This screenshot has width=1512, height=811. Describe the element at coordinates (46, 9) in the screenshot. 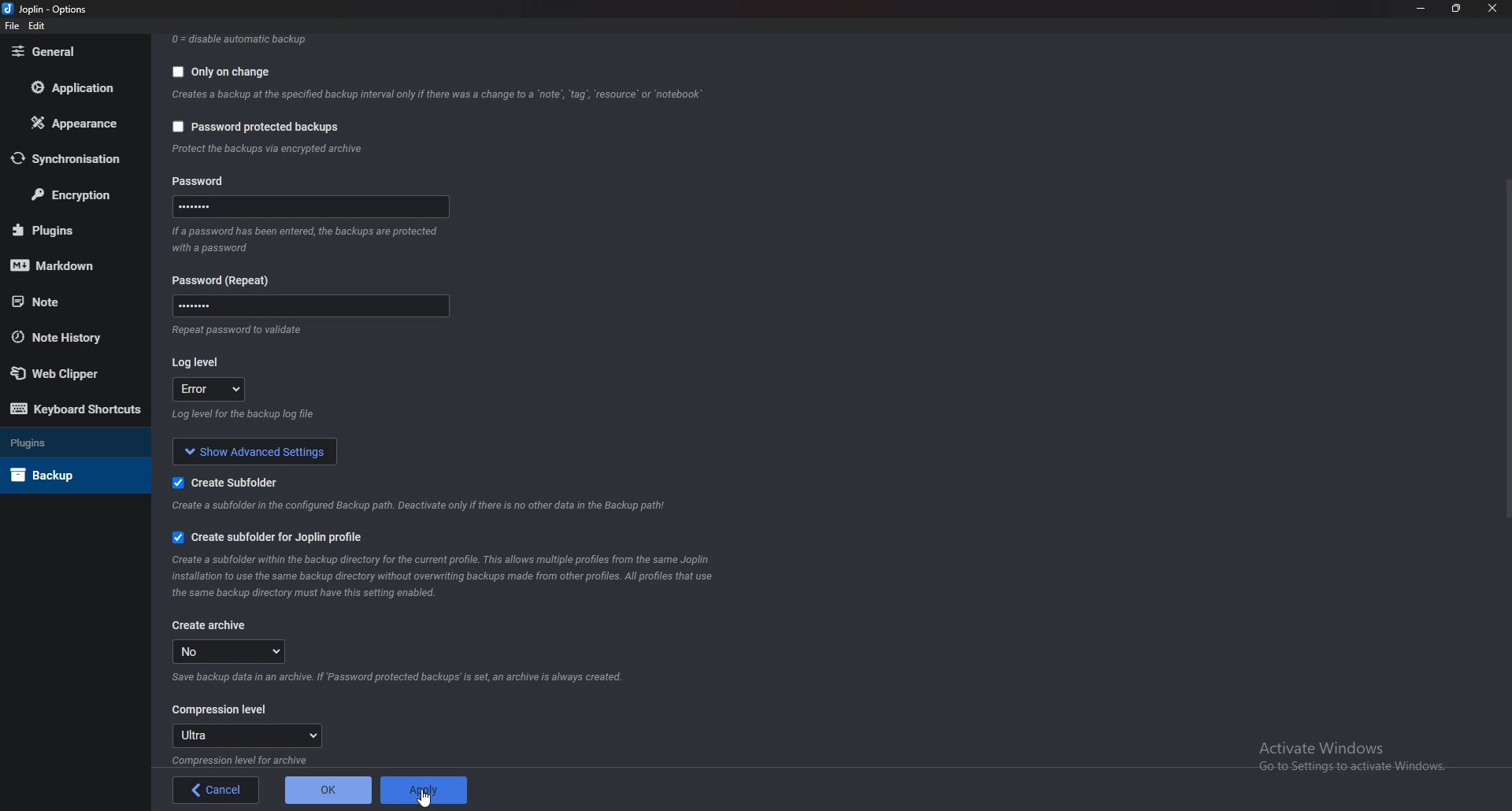

I see `joplin` at that location.